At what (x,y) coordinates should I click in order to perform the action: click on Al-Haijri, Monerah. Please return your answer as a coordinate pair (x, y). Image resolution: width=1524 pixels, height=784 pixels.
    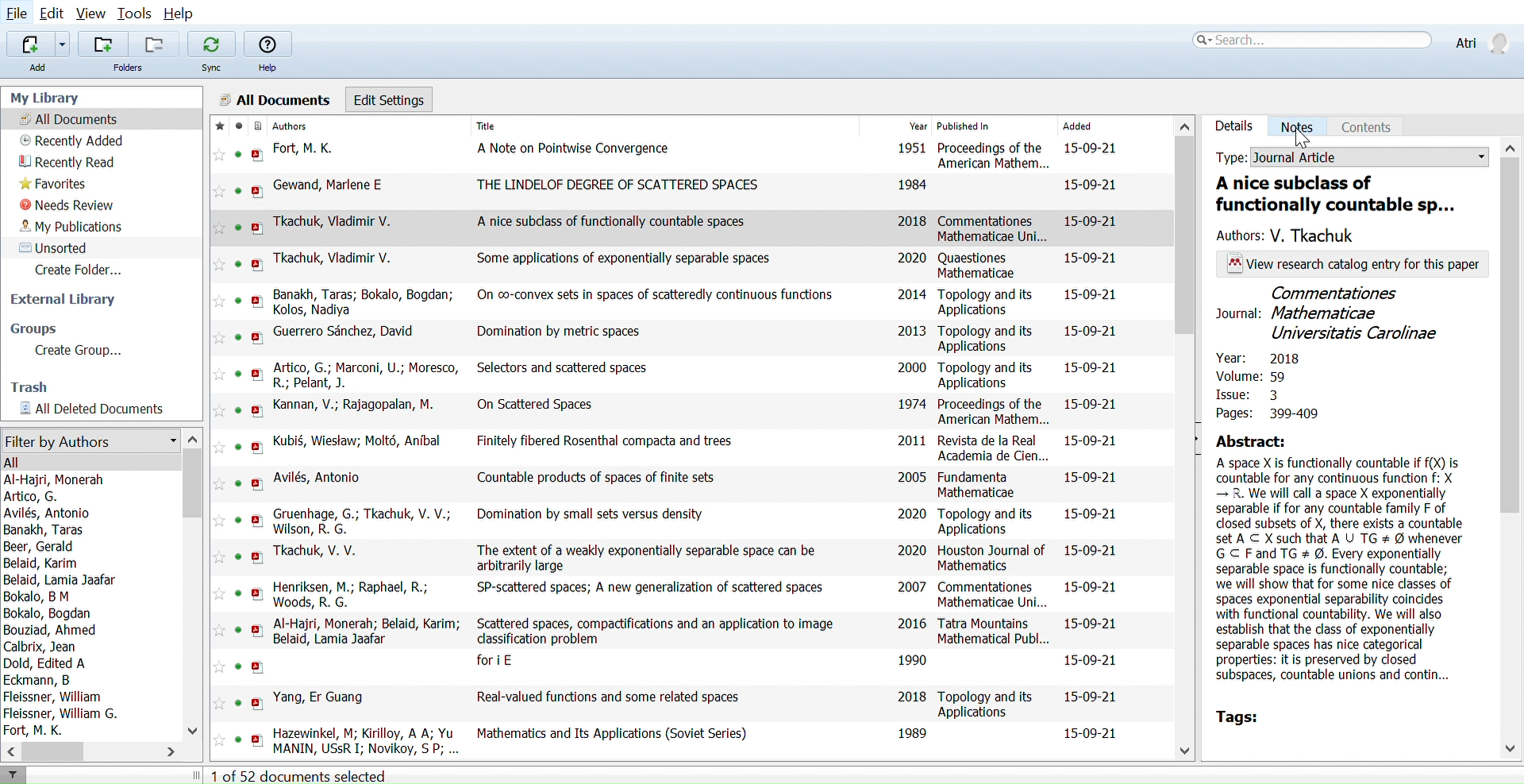
    Looking at the image, I should click on (61, 479).